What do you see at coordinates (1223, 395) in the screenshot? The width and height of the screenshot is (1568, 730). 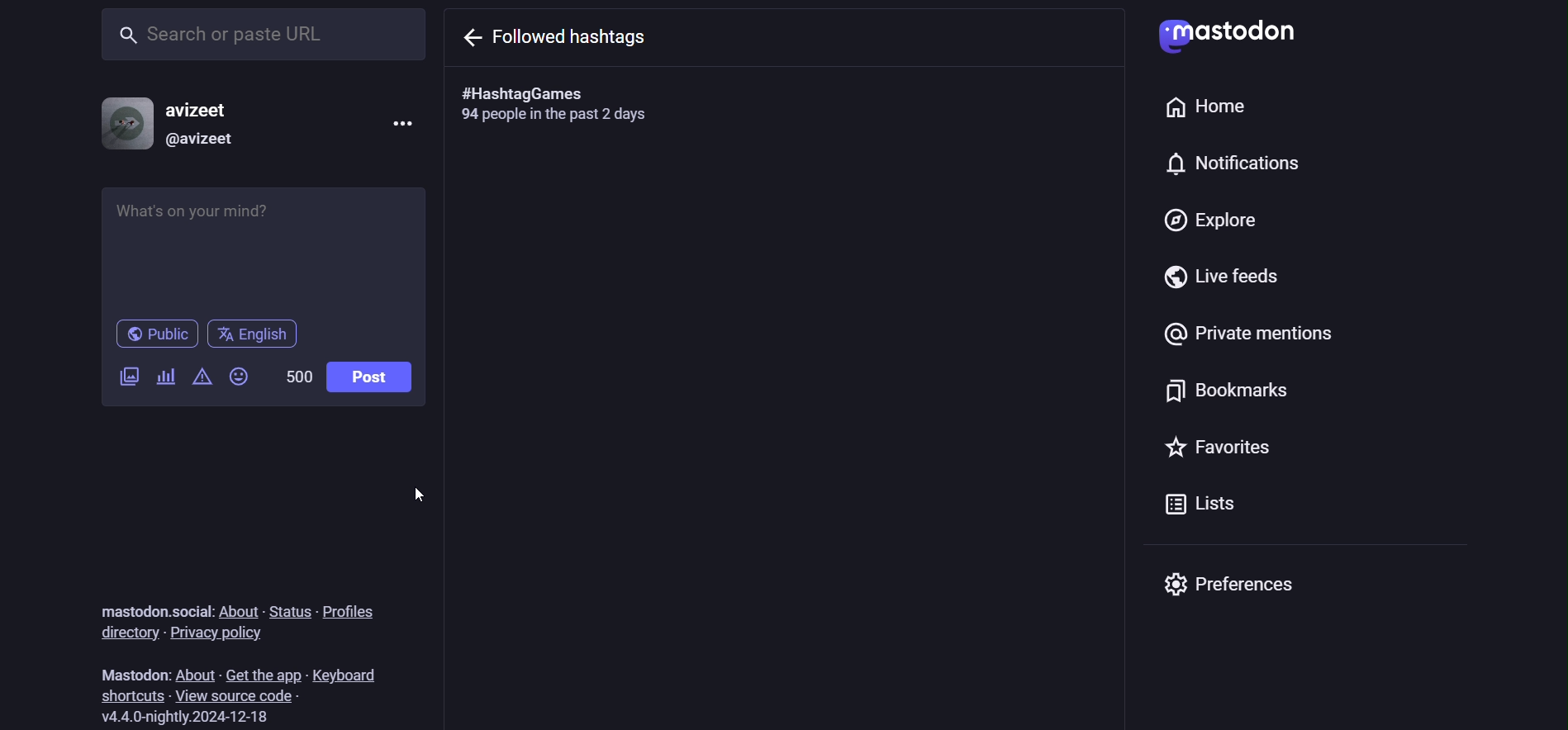 I see `bookmarks` at bounding box center [1223, 395].